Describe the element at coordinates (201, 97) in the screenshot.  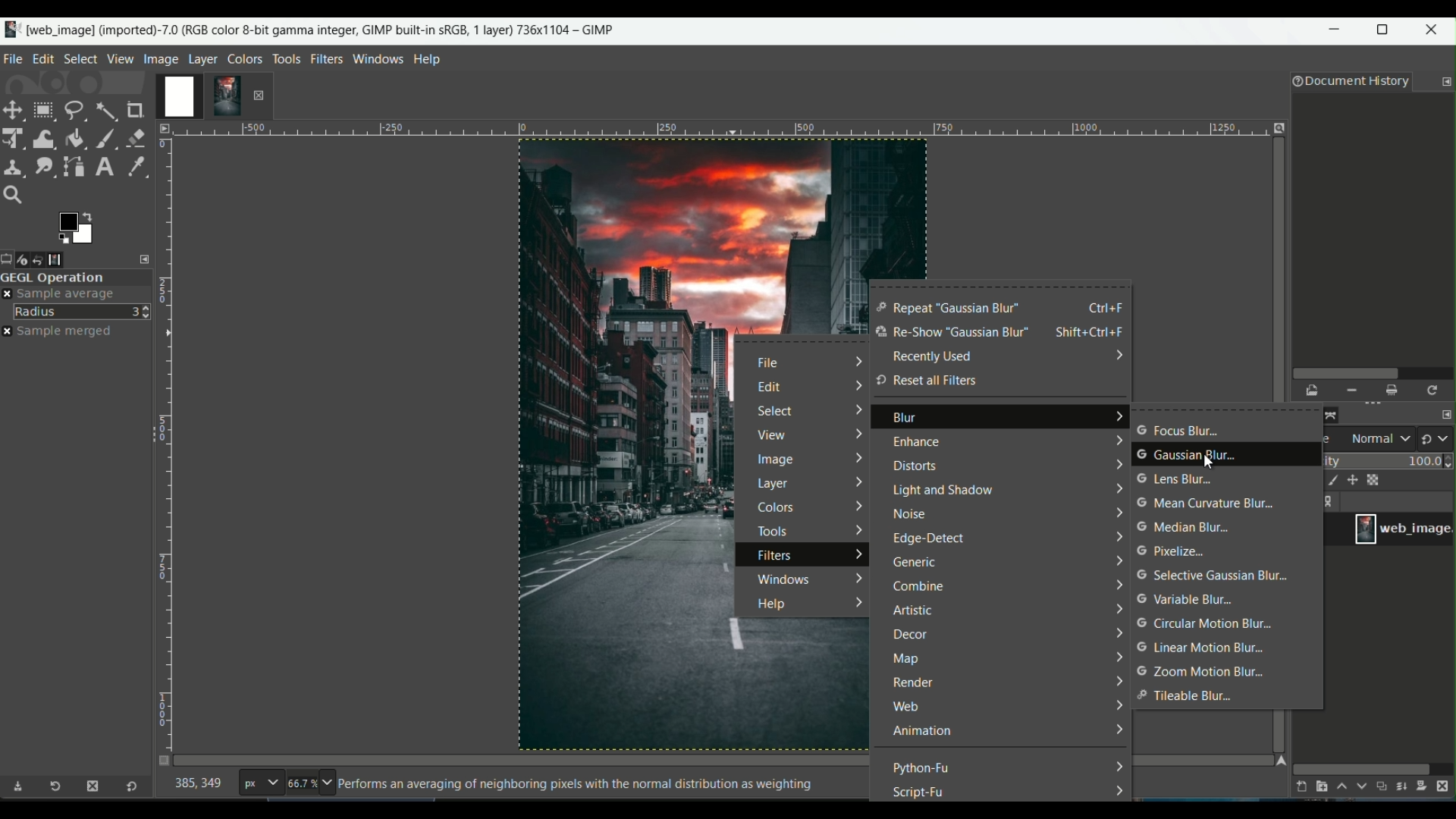
I see `imported image` at that location.